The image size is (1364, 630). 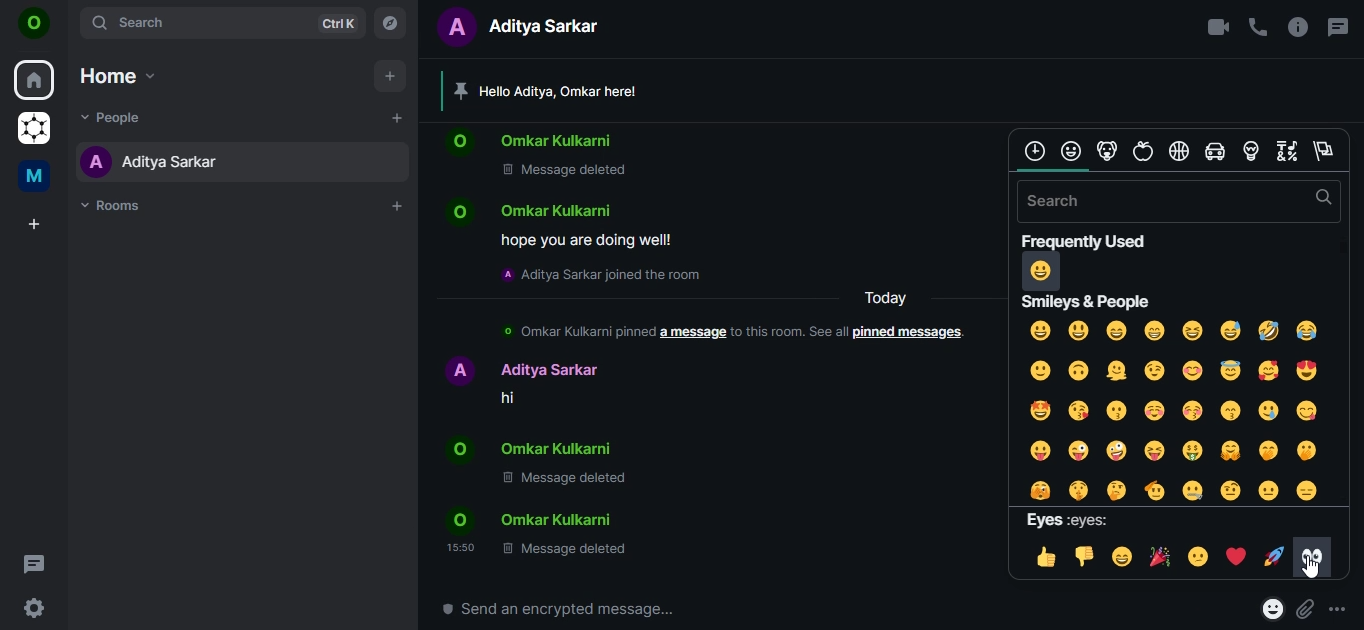 What do you see at coordinates (1337, 22) in the screenshot?
I see `threads` at bounding box center [1337, 22].